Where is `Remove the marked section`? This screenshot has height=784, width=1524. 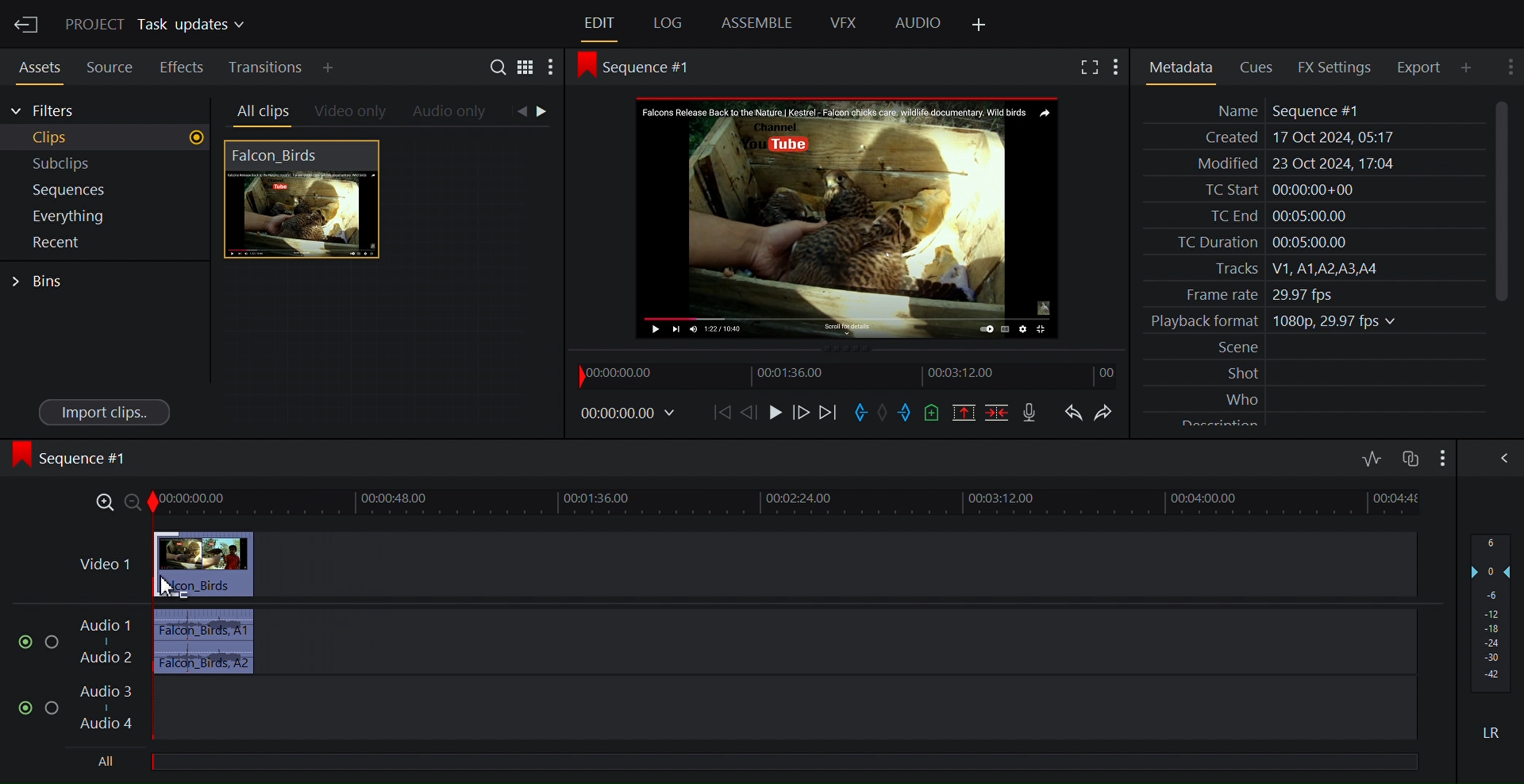
Remove the marked section is located at coordinates (964, 413).